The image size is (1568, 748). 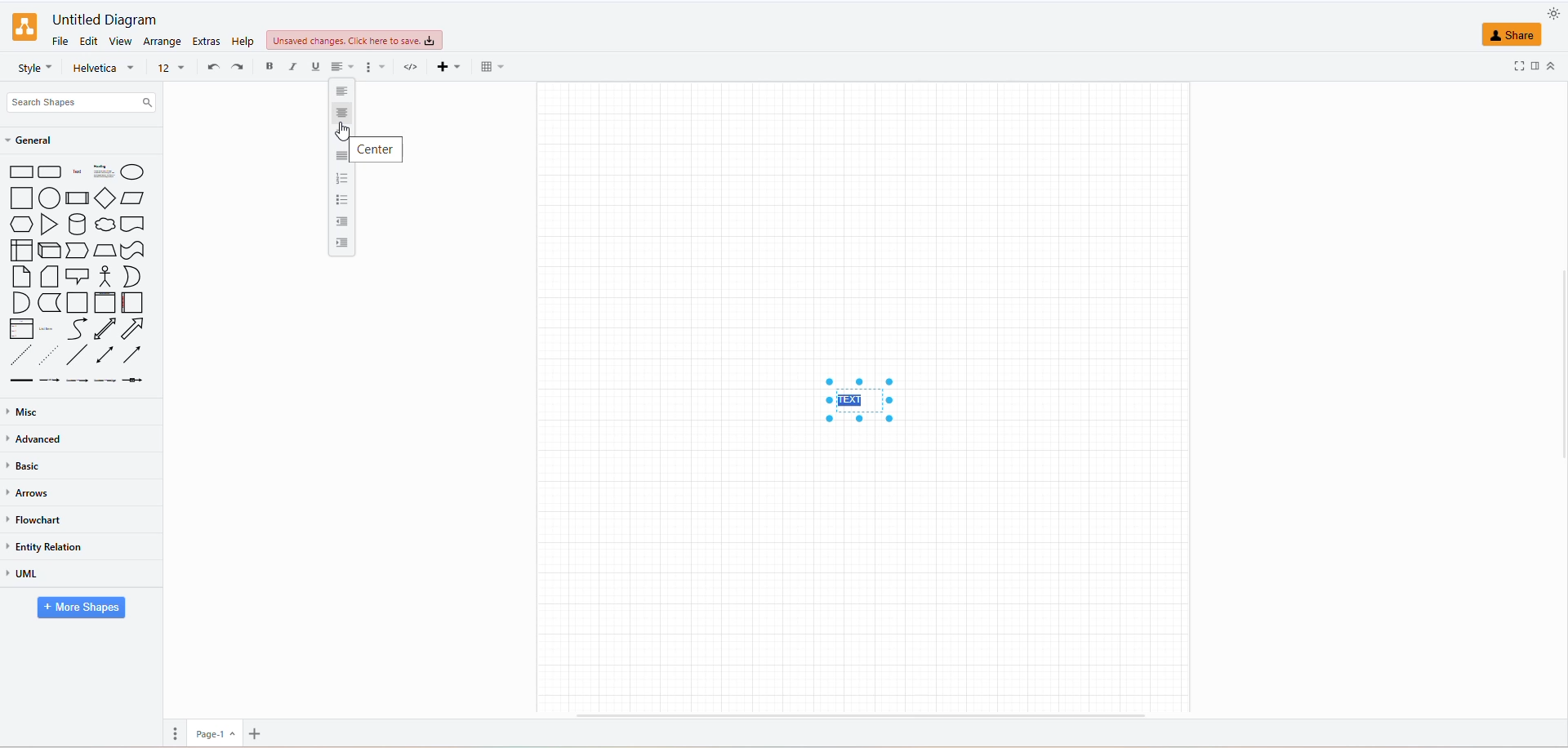 I want to click on unsaved changes click here to save, so click(x=352, y=42).